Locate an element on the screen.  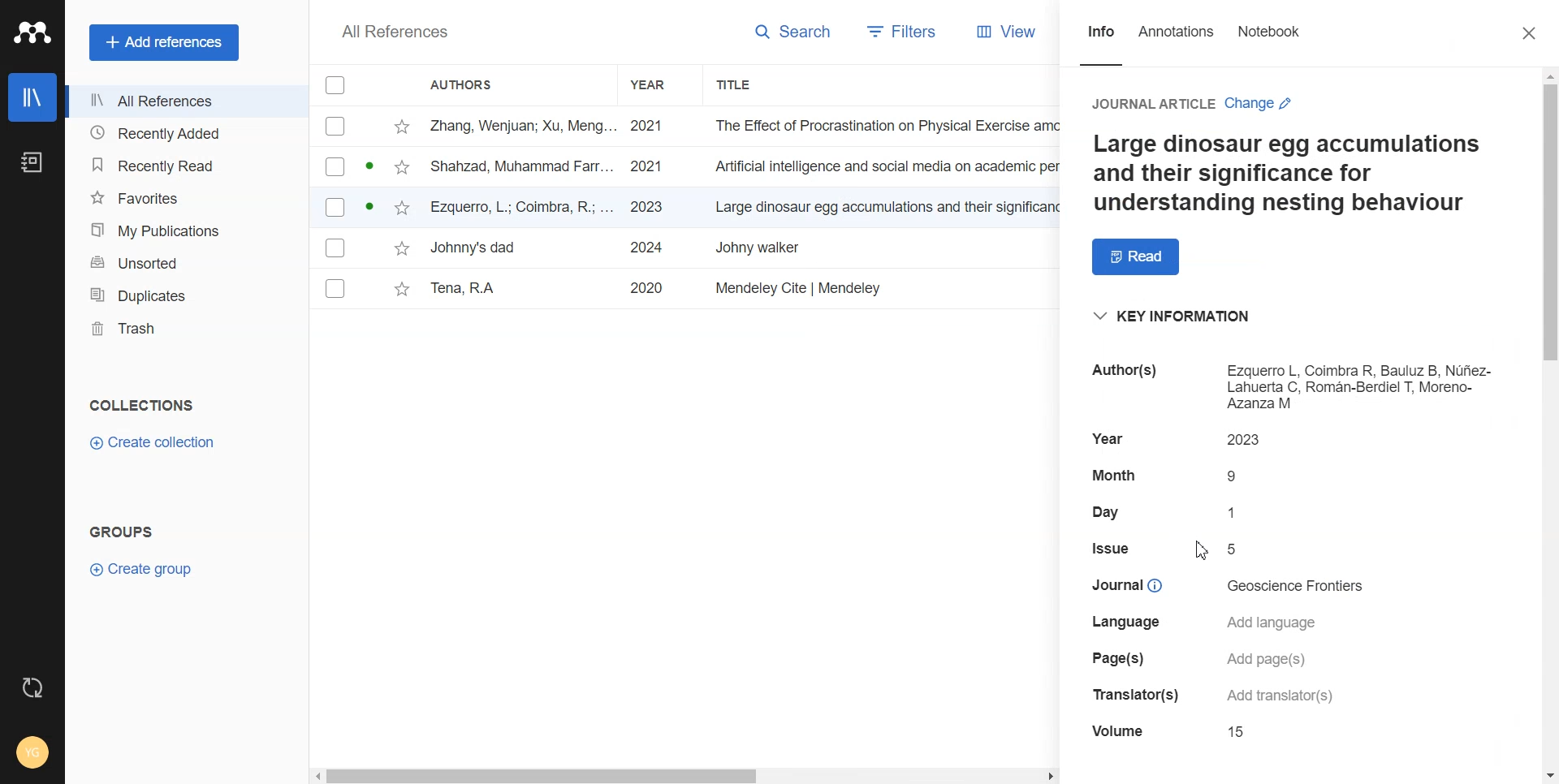
Read is located at coordinates (1139, 257).